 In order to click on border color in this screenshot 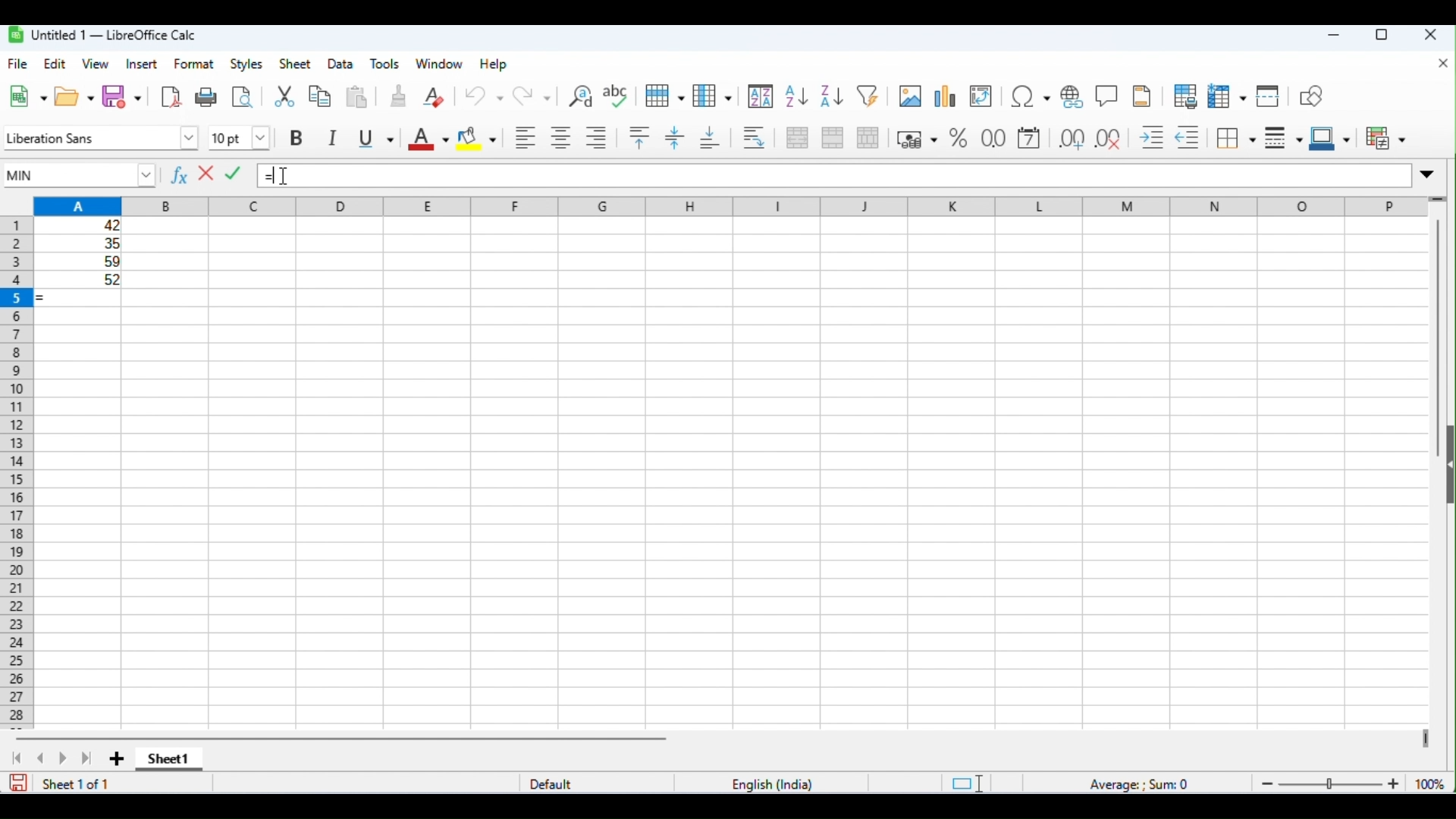, I will do `click(1329, 140)`.